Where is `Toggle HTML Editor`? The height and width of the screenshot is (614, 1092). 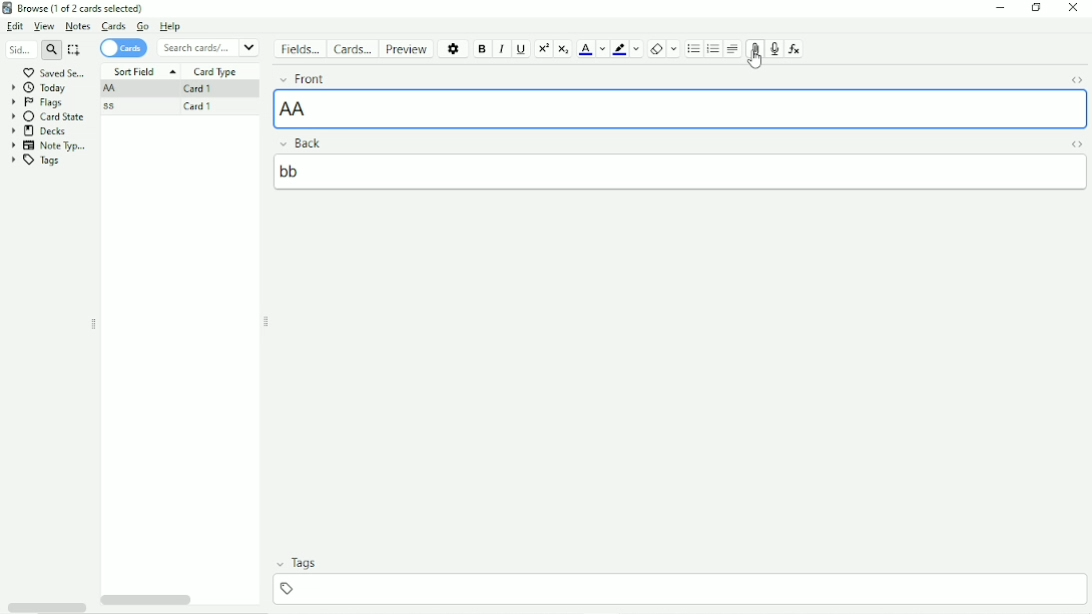
Toggle HTML Editor is located at coordinates (1080, 80).